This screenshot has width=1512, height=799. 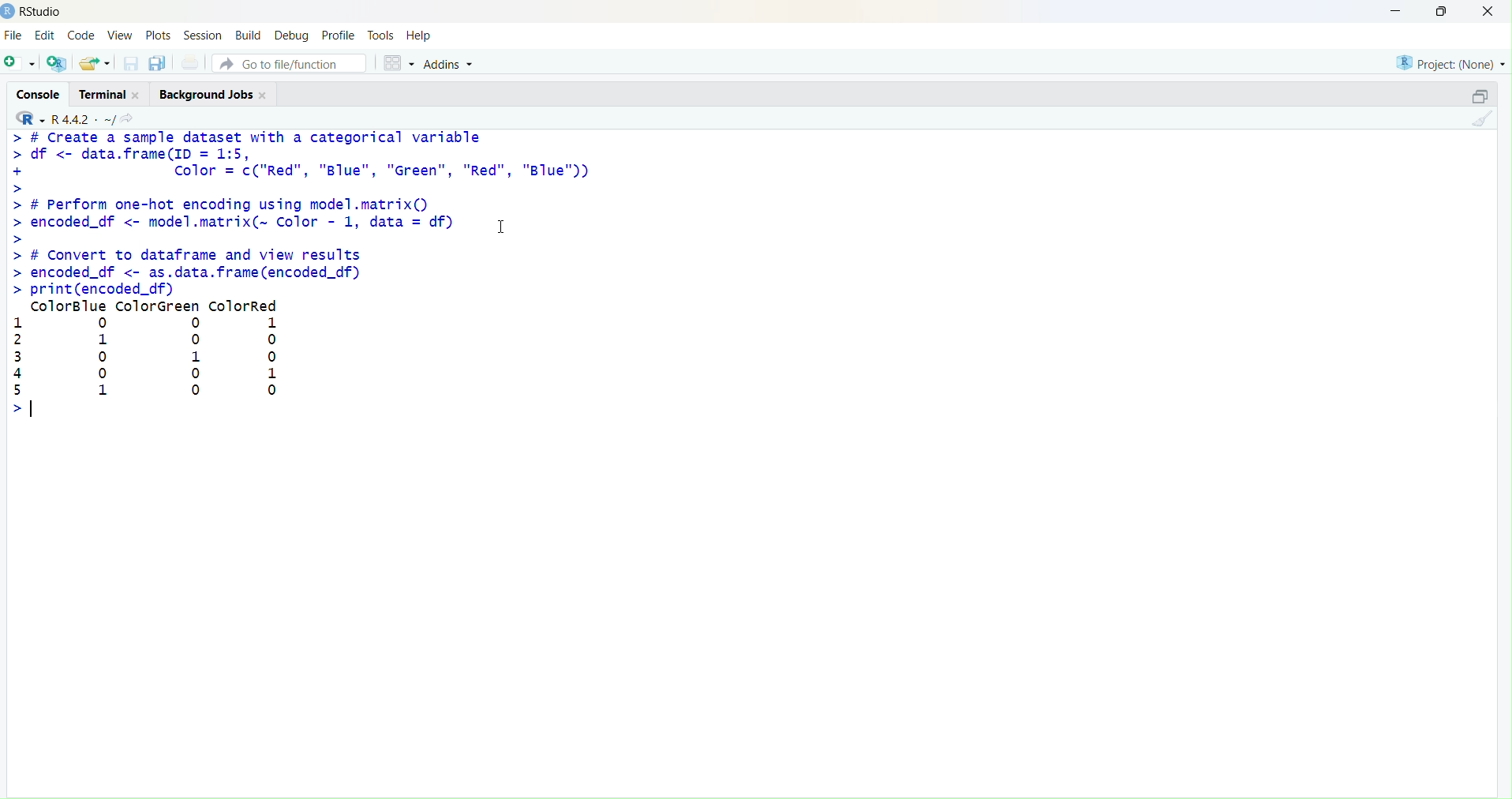 What do you see at coordinates (83, 119) in the screenshot?
I see `R 4.4.2 ~/` at bounding box center [83, 119].